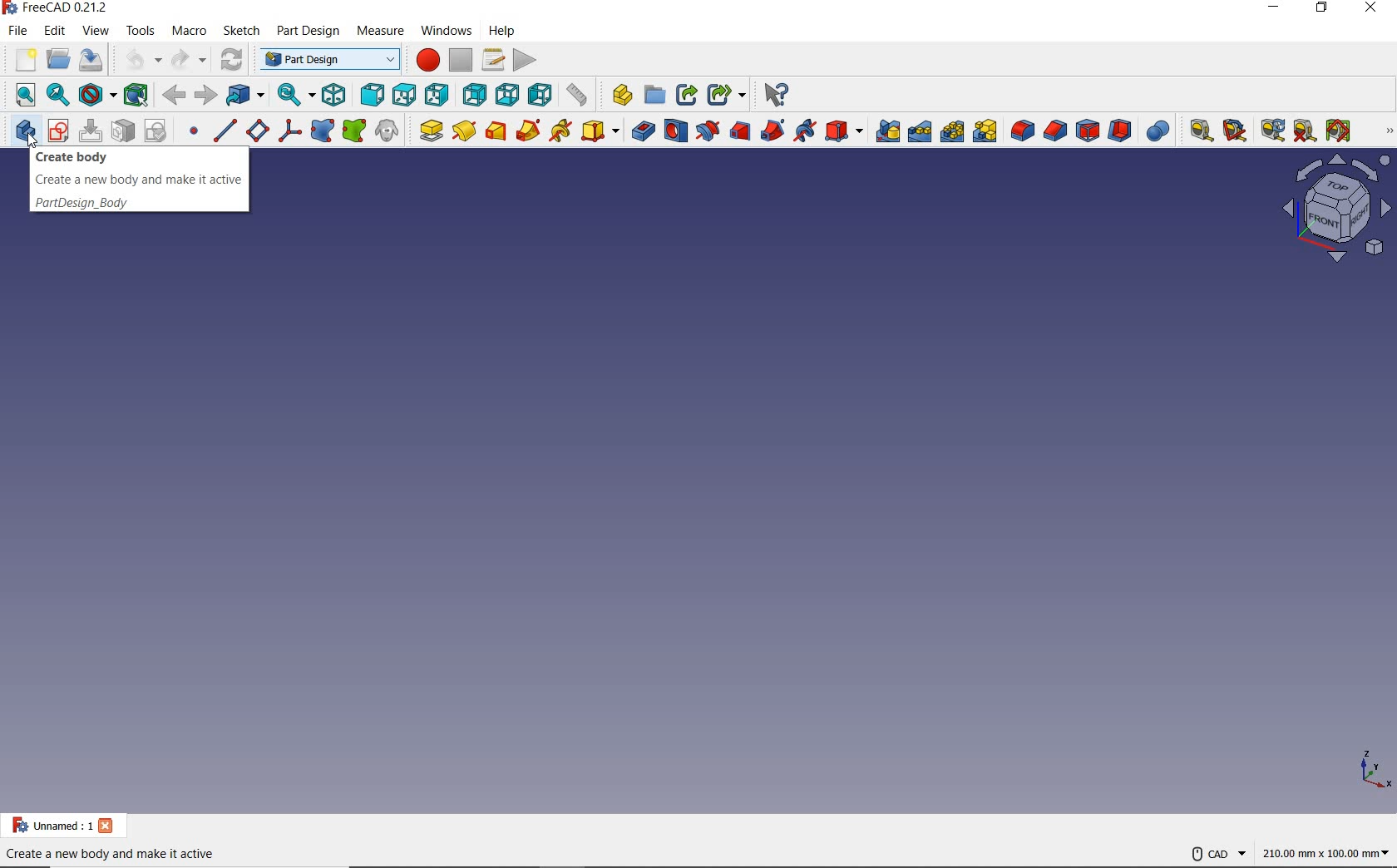 The width and height of the screenshot is (1397, 868). What do you see at coordinates (97, 95) in the screenshot?
I see `draw style` at bounding box center [97, 95].